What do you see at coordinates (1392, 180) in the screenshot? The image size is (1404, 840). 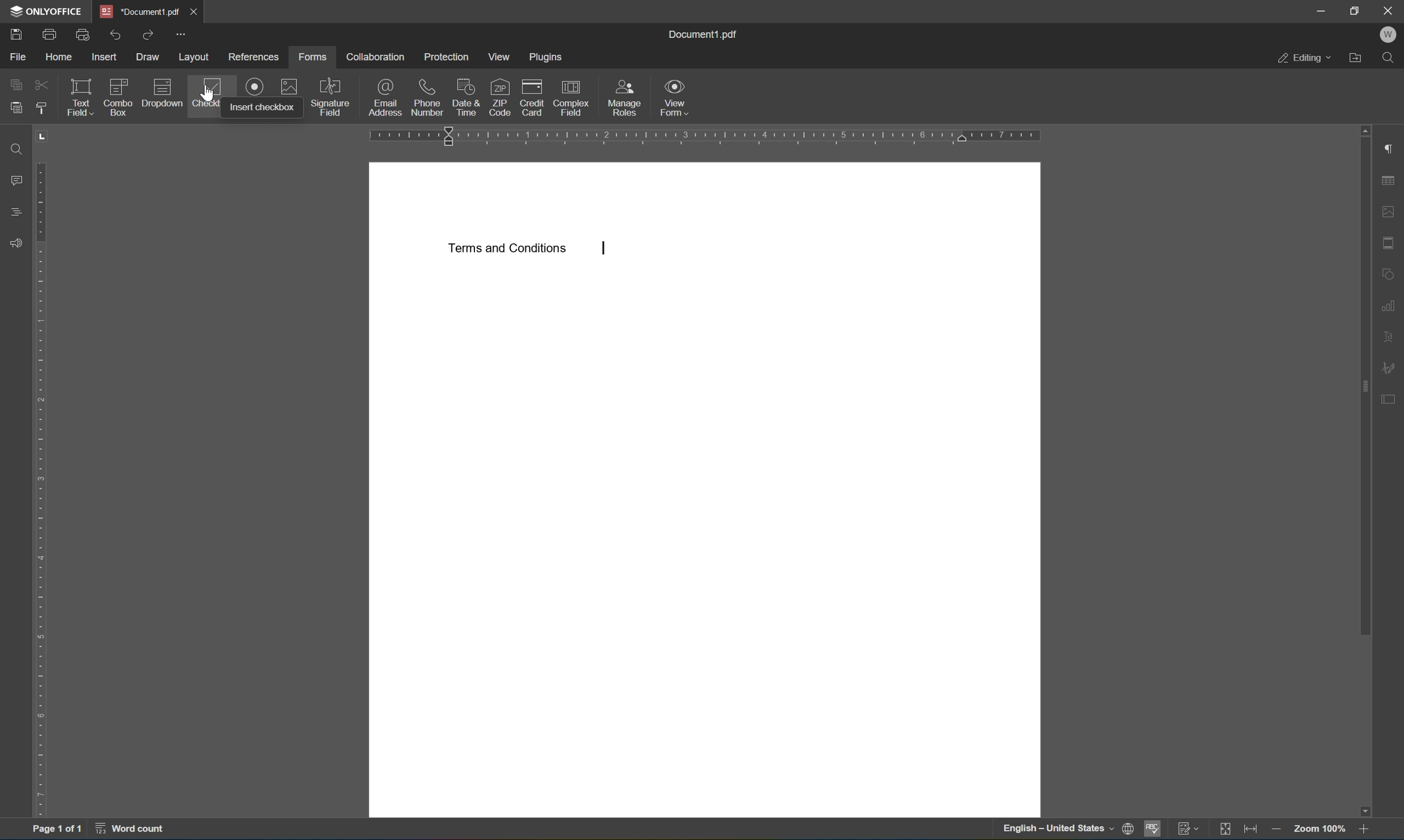 I see `table settings` at bounding box center [1392, 180].